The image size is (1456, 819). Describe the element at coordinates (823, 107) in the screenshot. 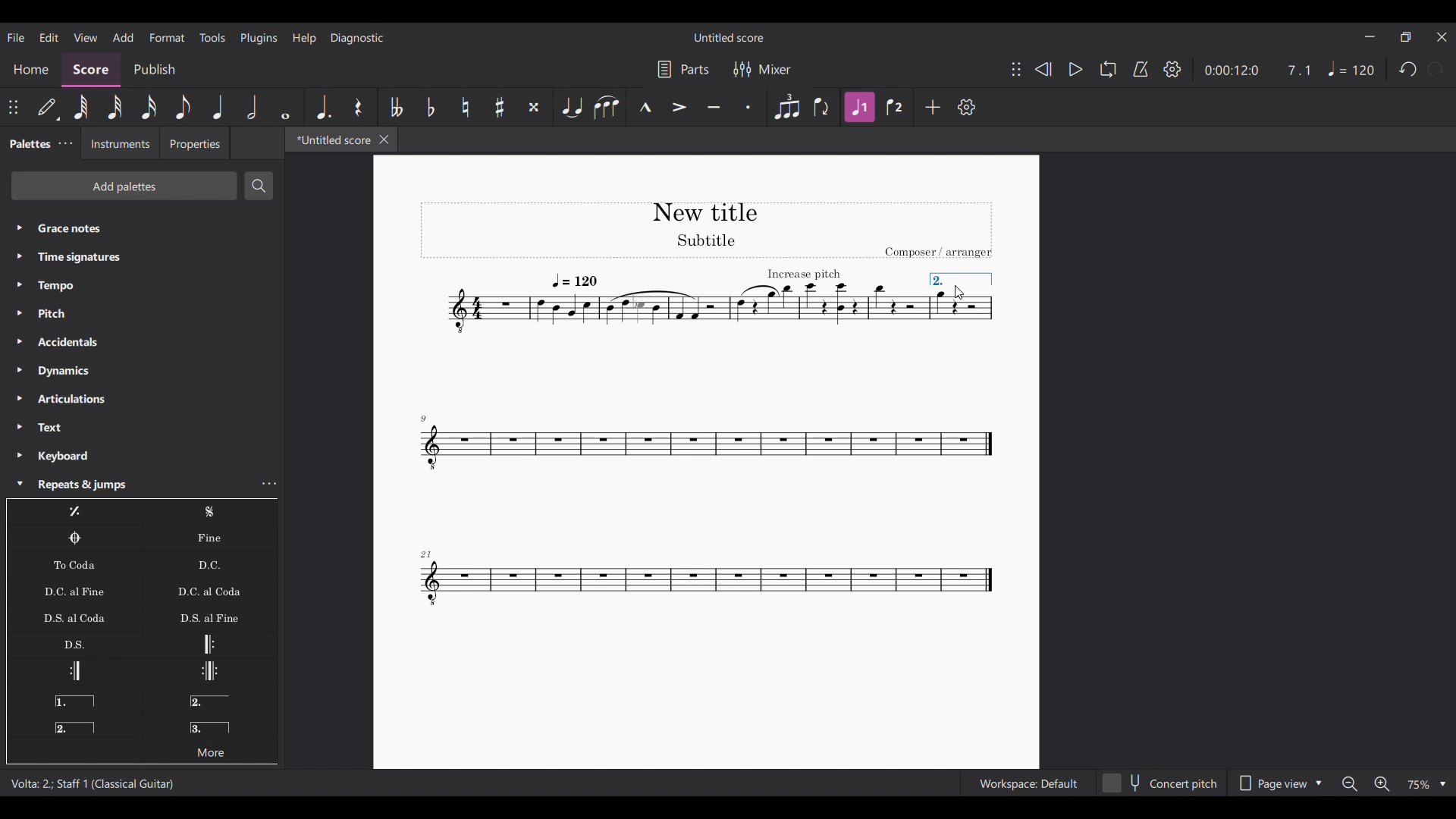

I see `Flip direction` at that location.